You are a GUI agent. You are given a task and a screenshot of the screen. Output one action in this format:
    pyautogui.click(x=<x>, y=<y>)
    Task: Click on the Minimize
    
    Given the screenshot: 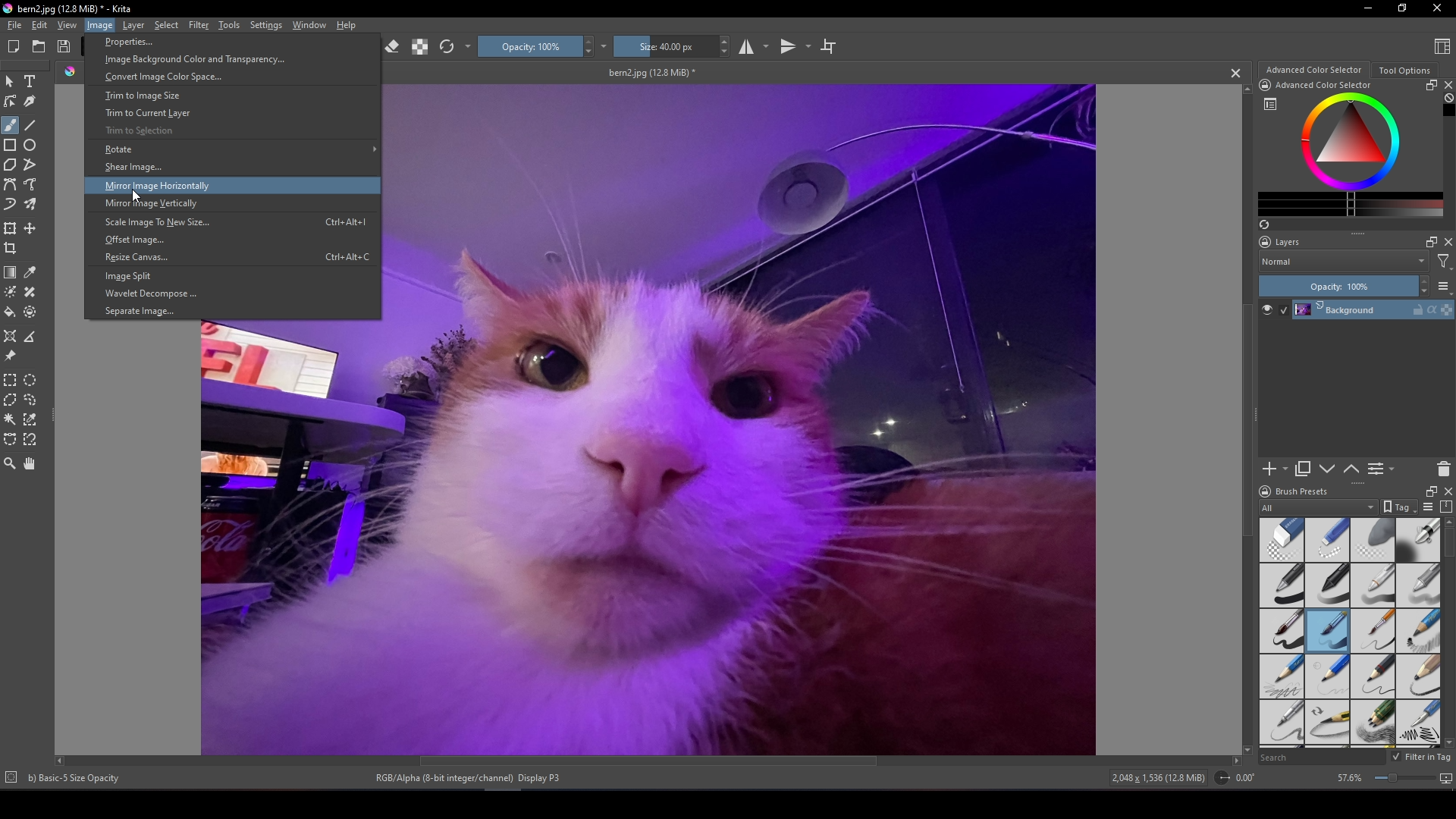 What is the action you would take?
    pyautogui.click(x=1367, y=8)
    